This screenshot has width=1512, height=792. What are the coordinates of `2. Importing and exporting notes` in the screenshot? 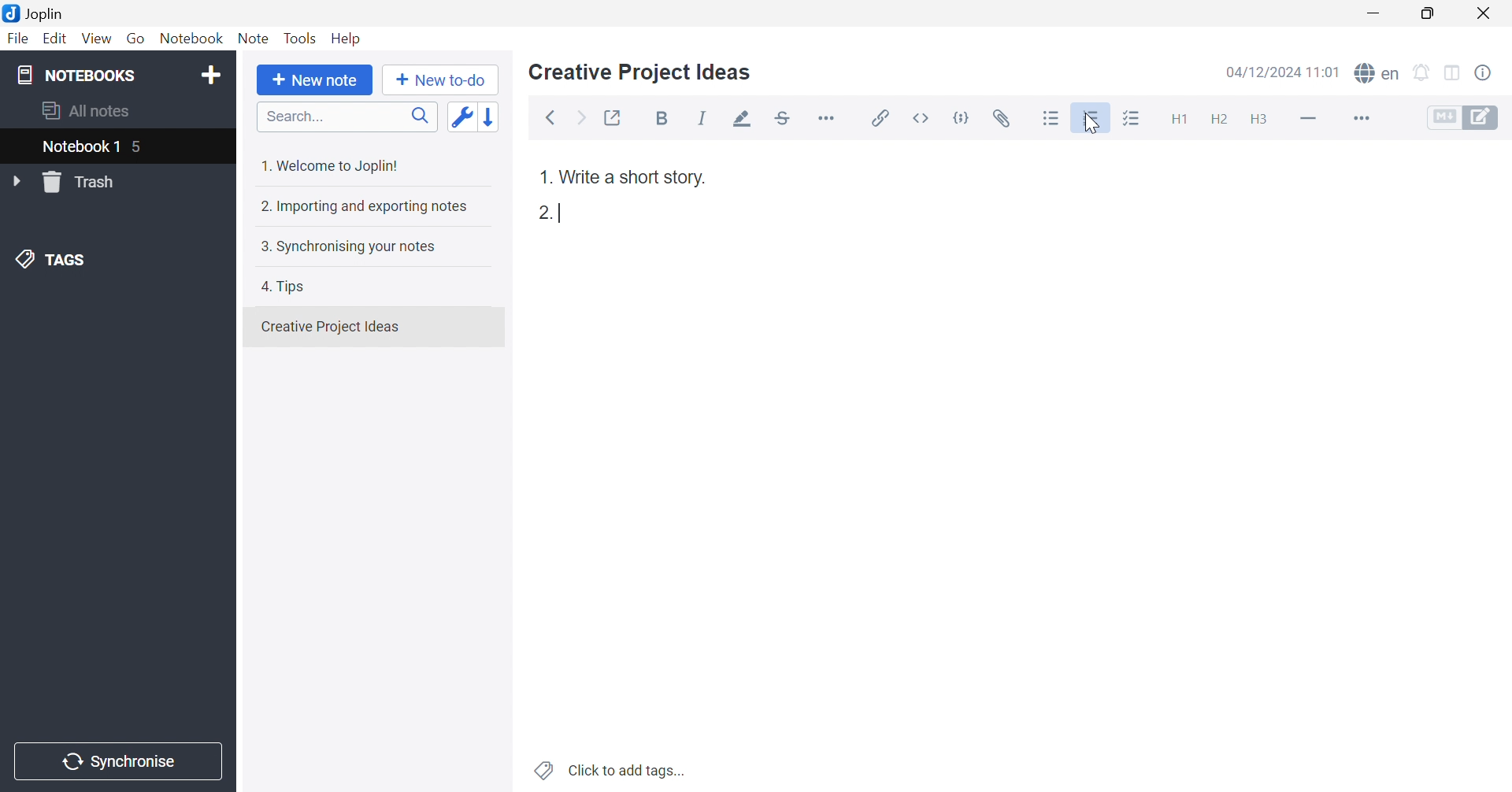 It's located at (367, 208).